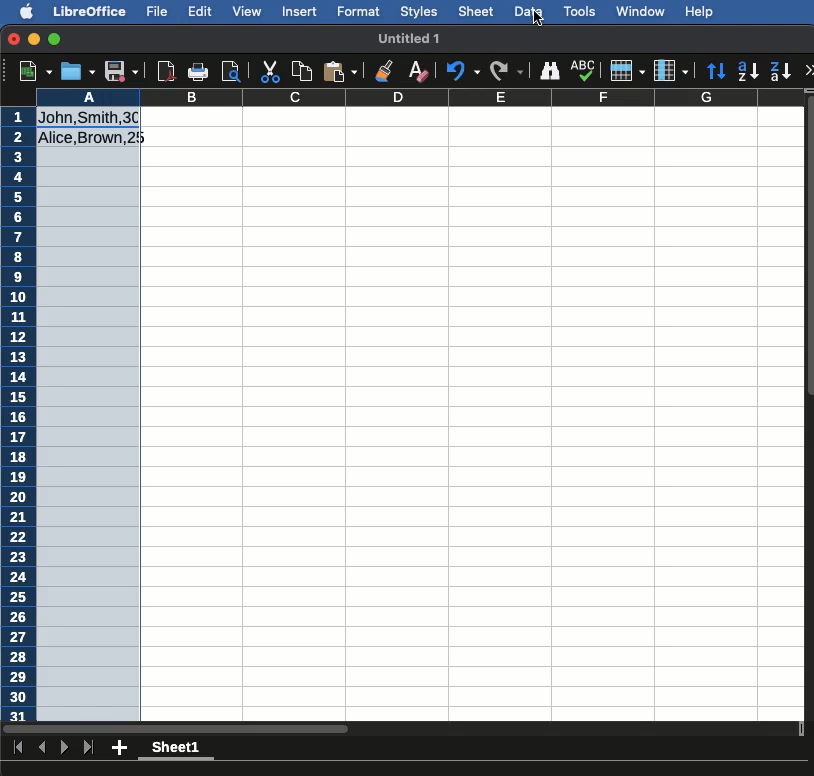 The width and height of the screenshot is (814, 776). I want to click on Edit, so click(200, 10).